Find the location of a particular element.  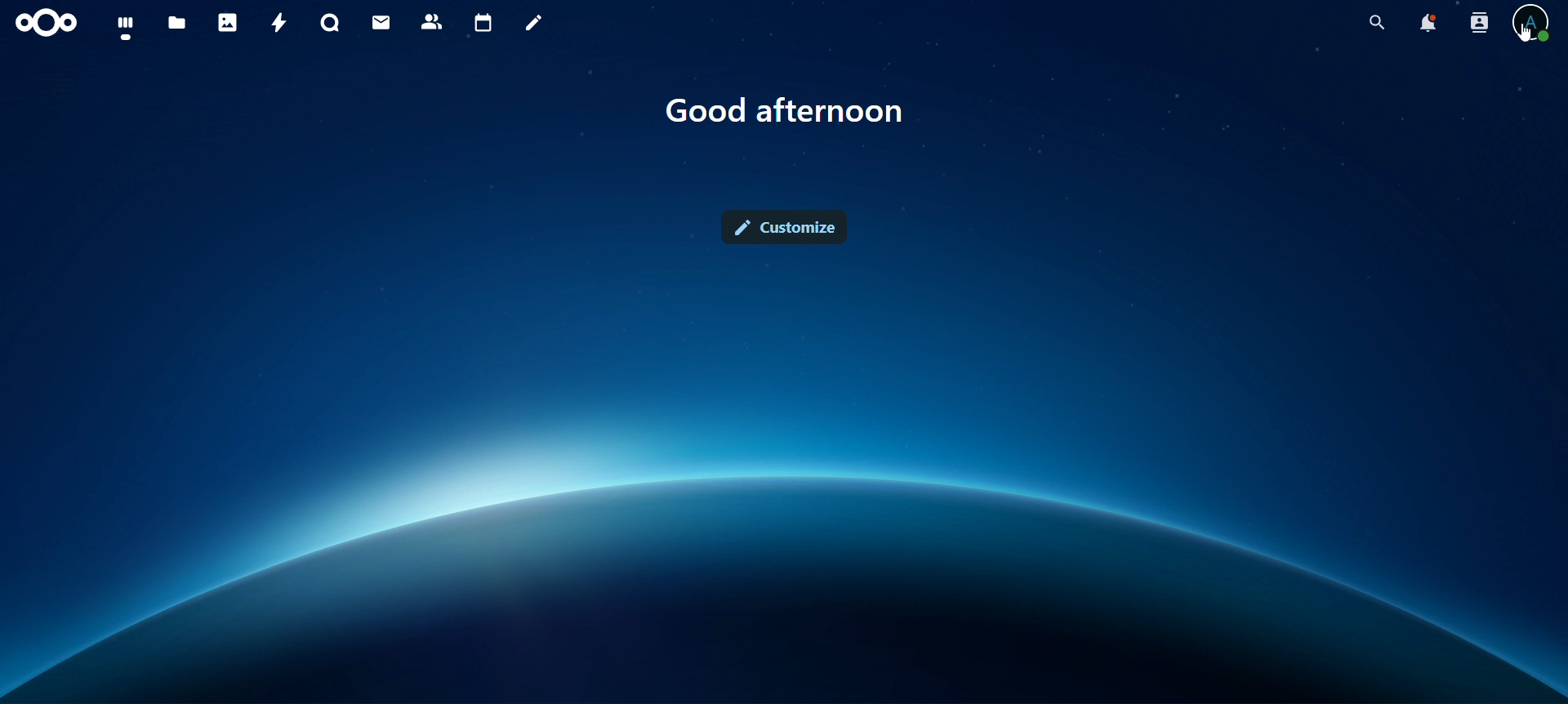

contacts is located at coordinates (434, 21).